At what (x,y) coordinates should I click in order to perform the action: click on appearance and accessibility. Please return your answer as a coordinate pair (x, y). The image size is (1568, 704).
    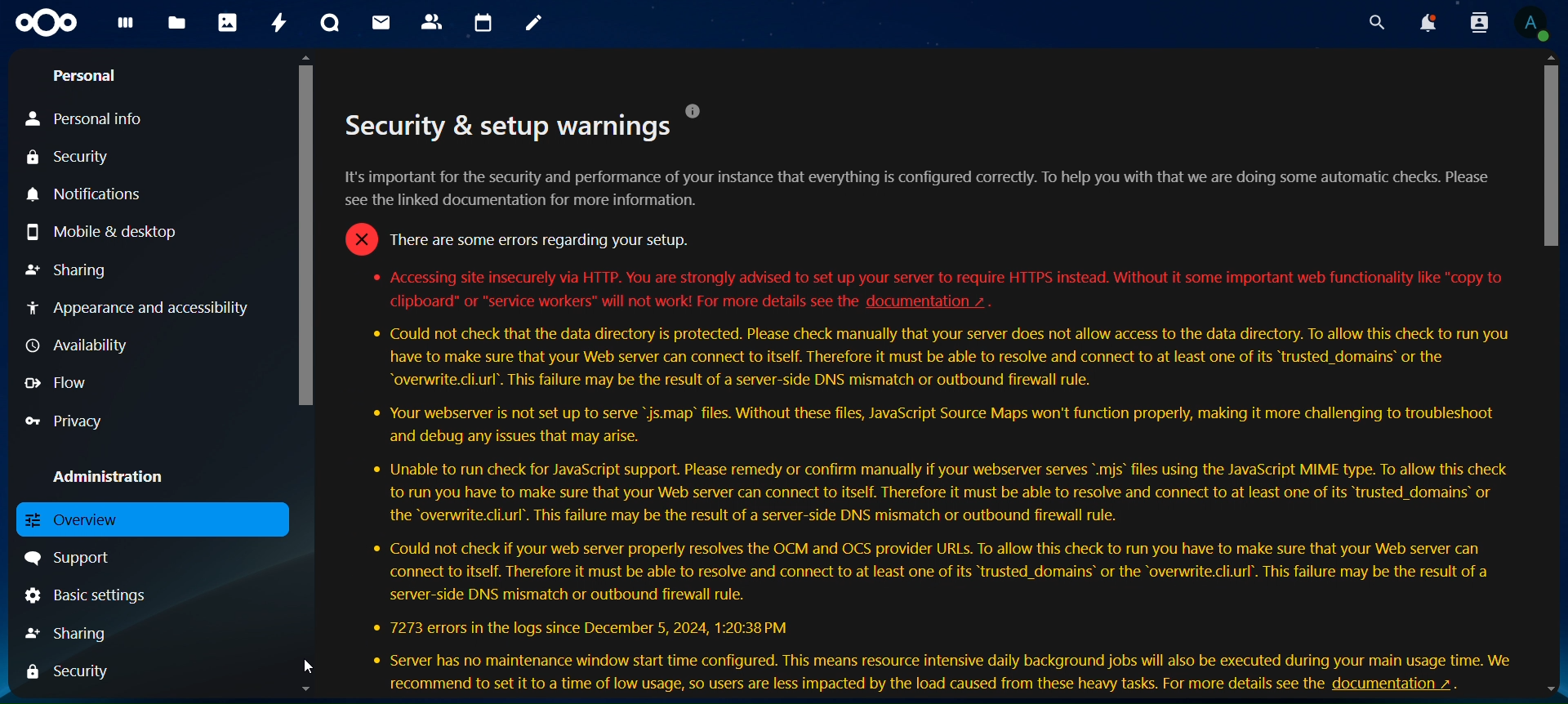
    Looking at the image, I should click on (144, 311).